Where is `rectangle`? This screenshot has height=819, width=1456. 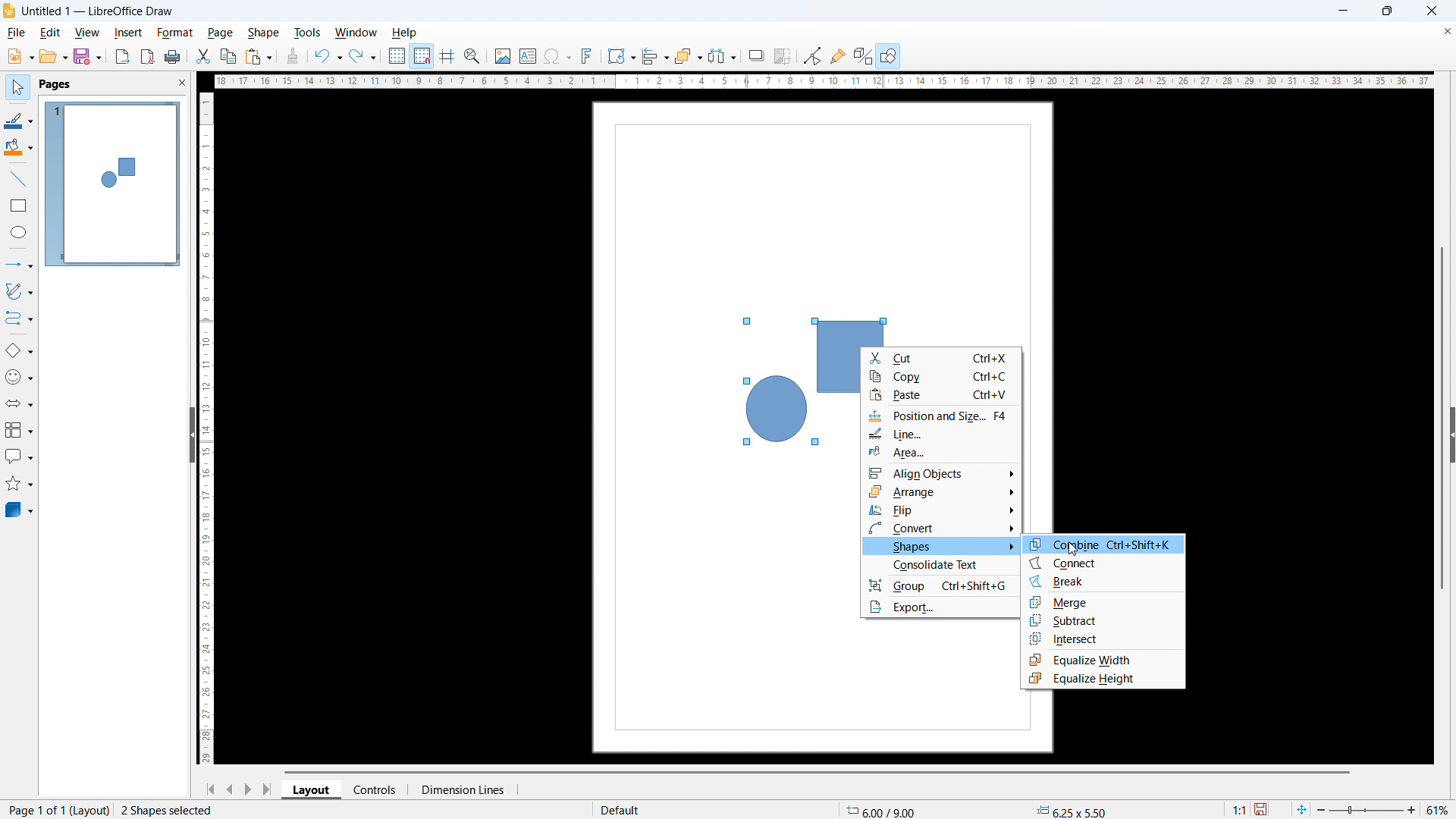 rectangle is located at coordinates (18, 205).